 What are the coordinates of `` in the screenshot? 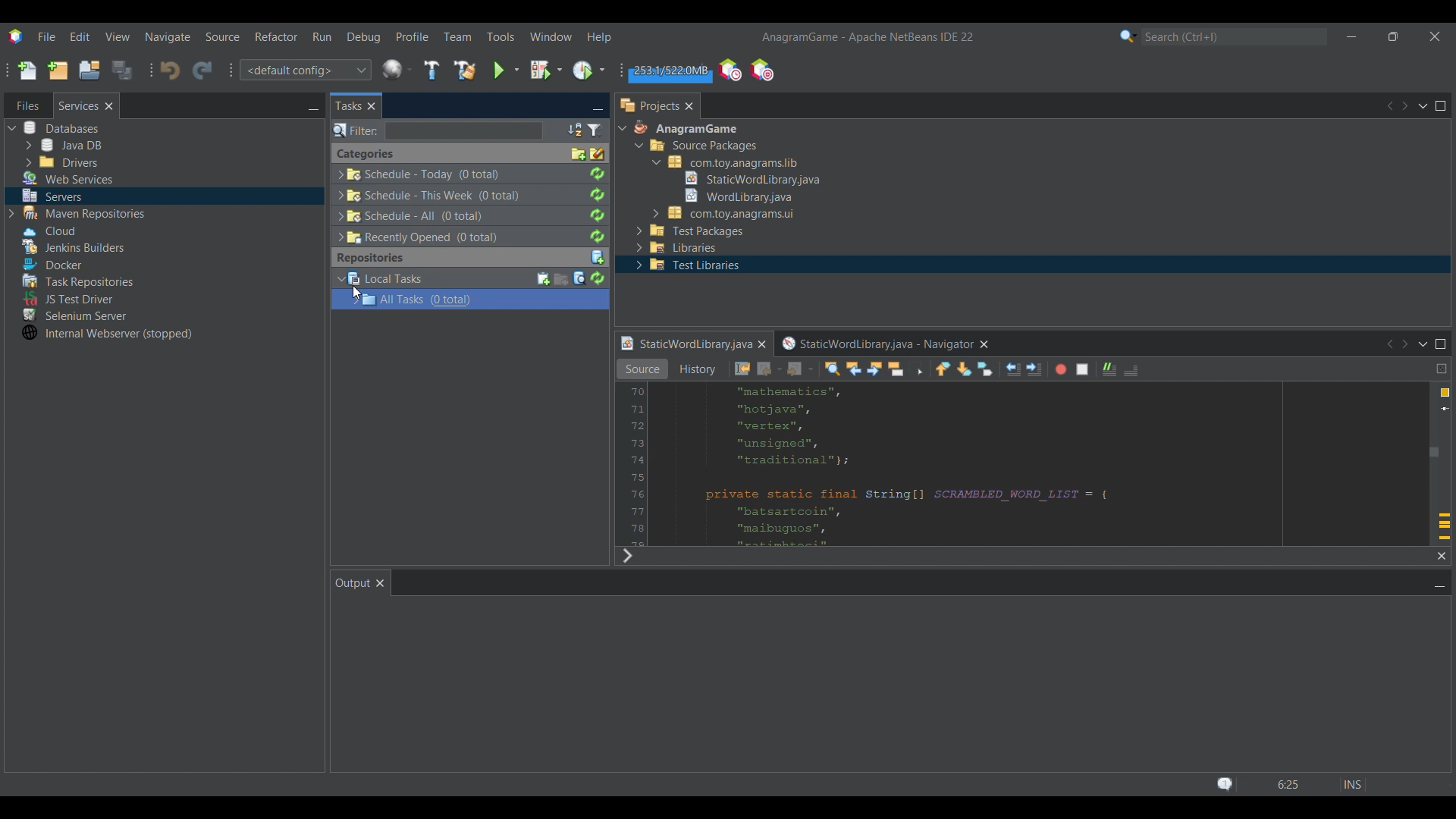 It's located at (58, 162).